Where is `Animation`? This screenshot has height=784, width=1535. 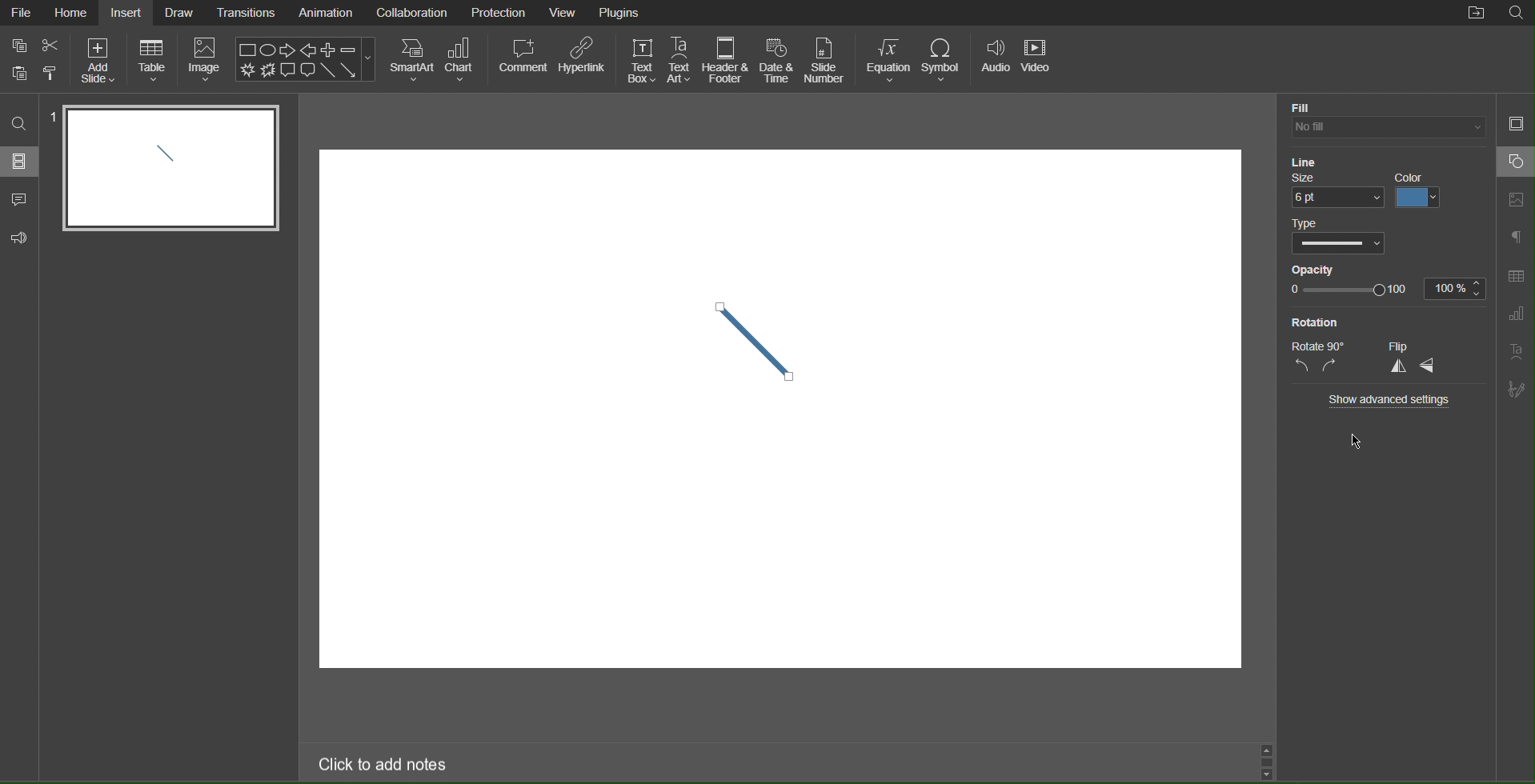 Animation is located at coordinates (324, 14).